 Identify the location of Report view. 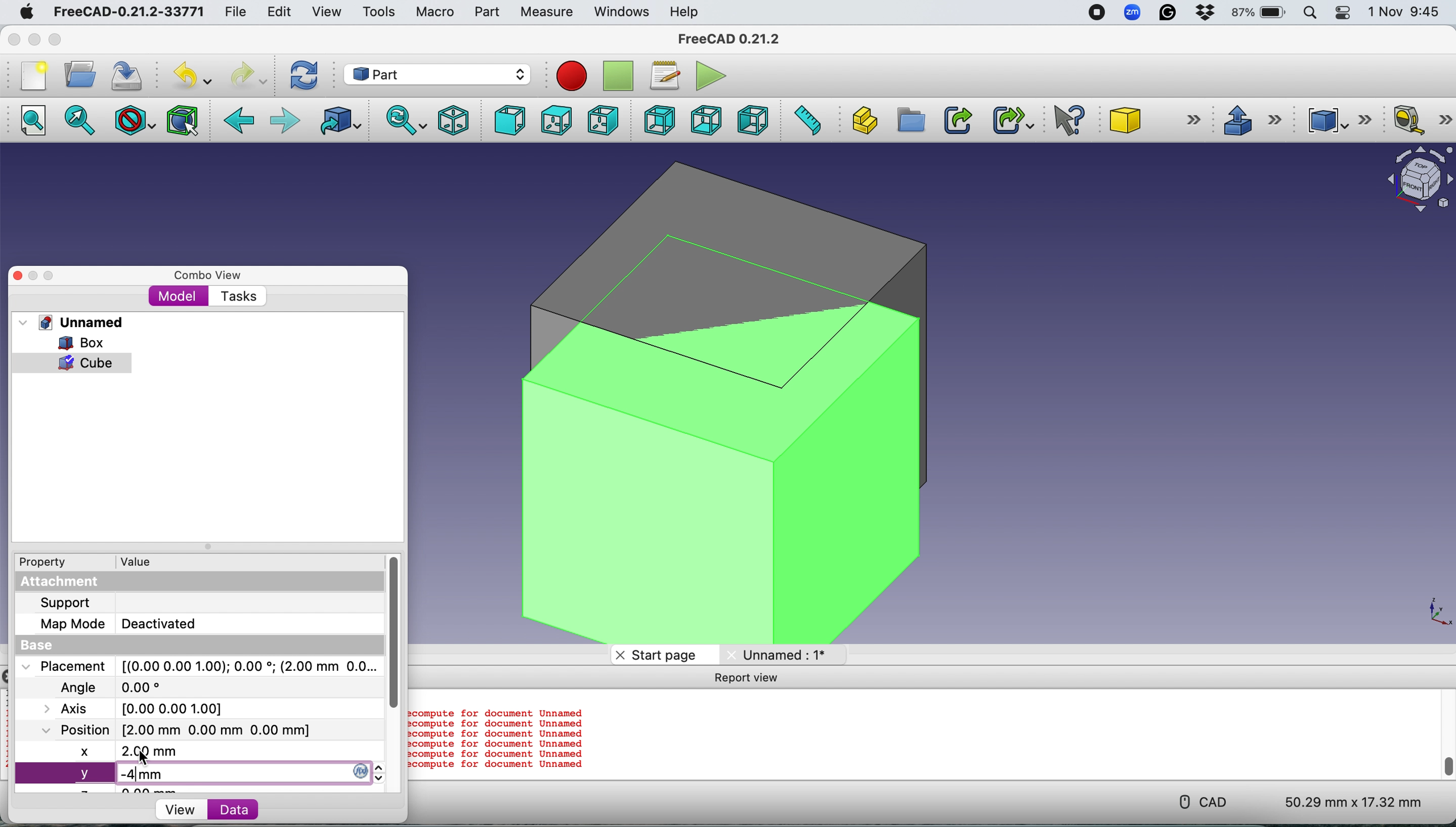
(748, 678).